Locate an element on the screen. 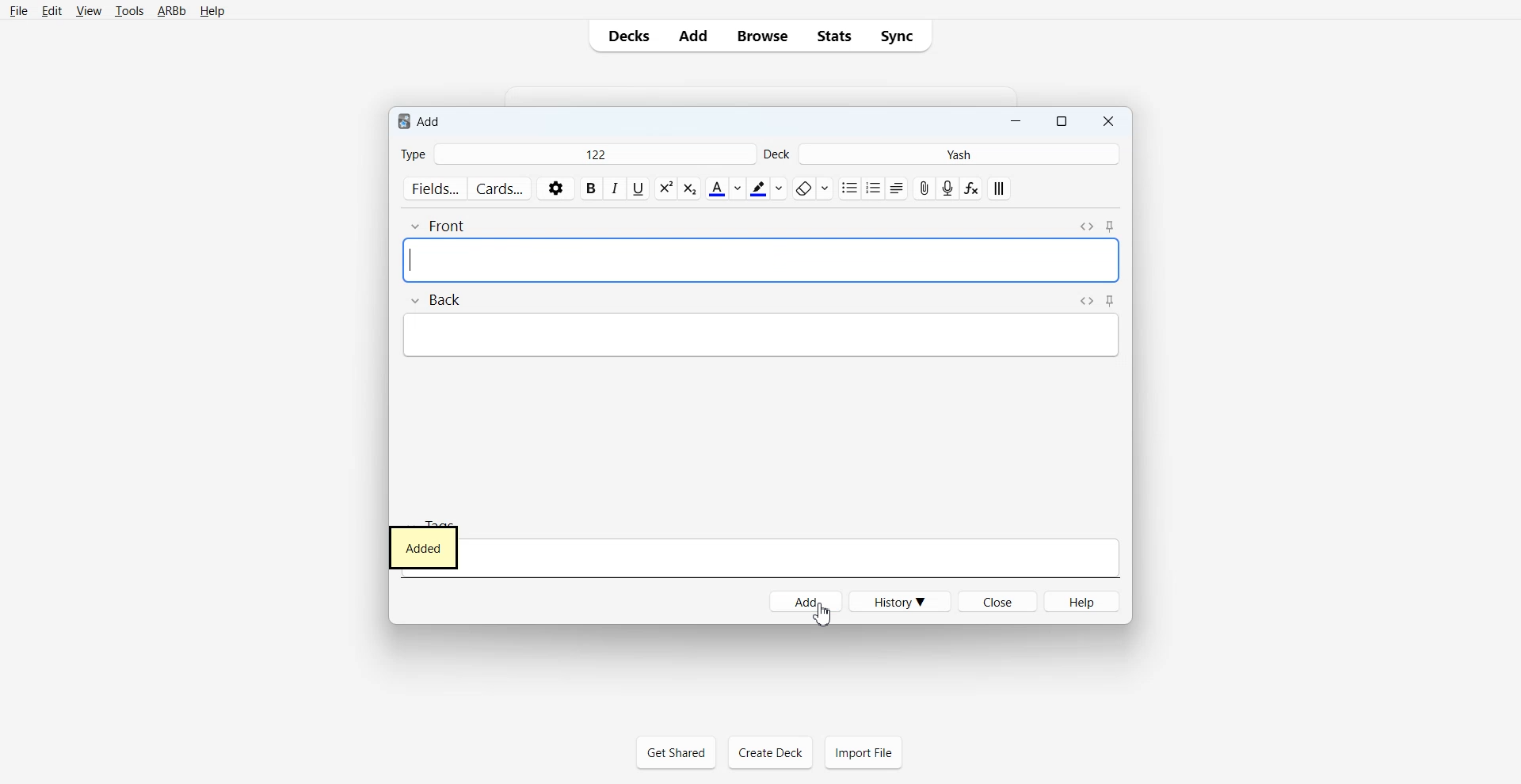 This screenshot has width=1521, height=784. File is located at coordinates (18, 11).